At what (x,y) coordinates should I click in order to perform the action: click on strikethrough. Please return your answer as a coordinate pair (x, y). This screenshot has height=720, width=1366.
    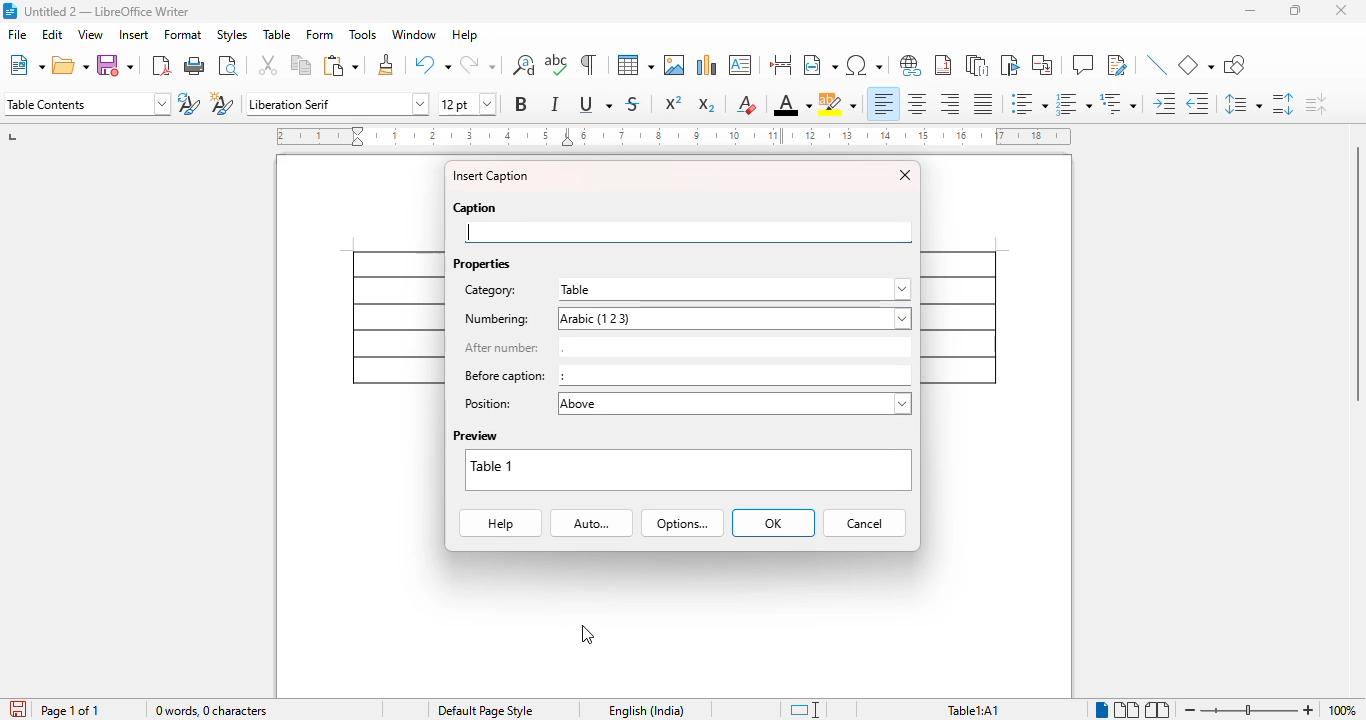
    Looking at the image, I should click on (633, 105).